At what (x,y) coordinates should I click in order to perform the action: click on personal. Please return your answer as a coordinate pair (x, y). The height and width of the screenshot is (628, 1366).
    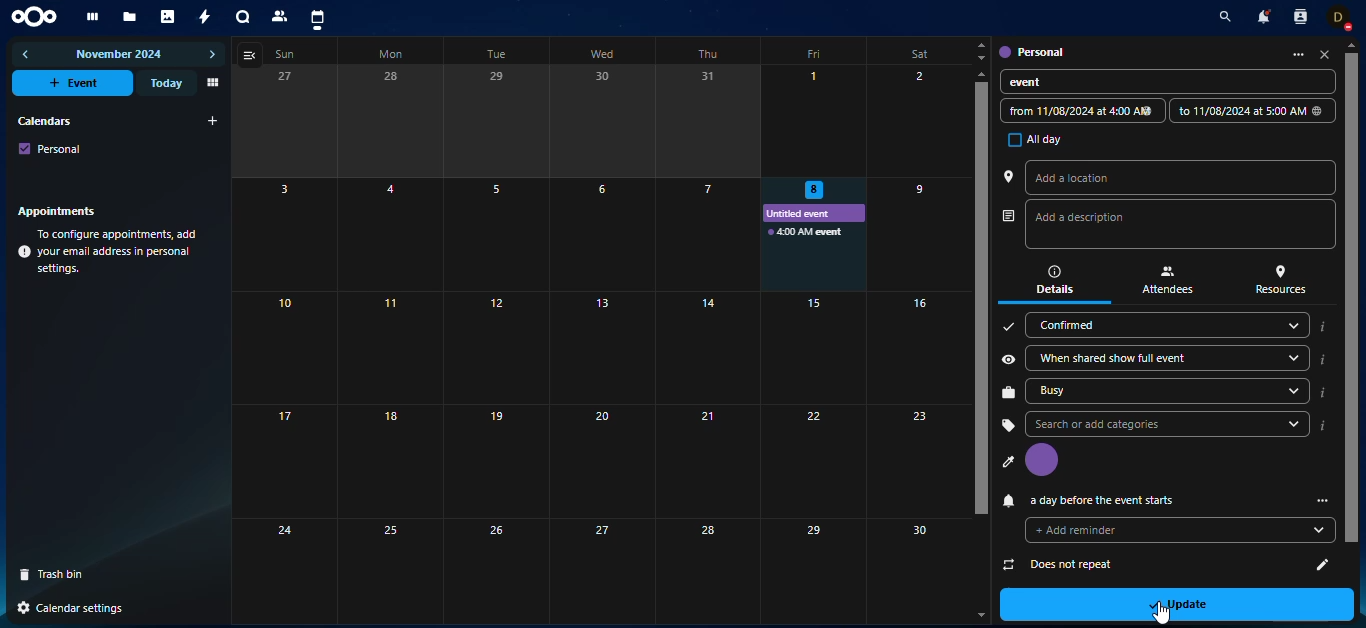
    Looking at the image, I should click on (1032, 51).